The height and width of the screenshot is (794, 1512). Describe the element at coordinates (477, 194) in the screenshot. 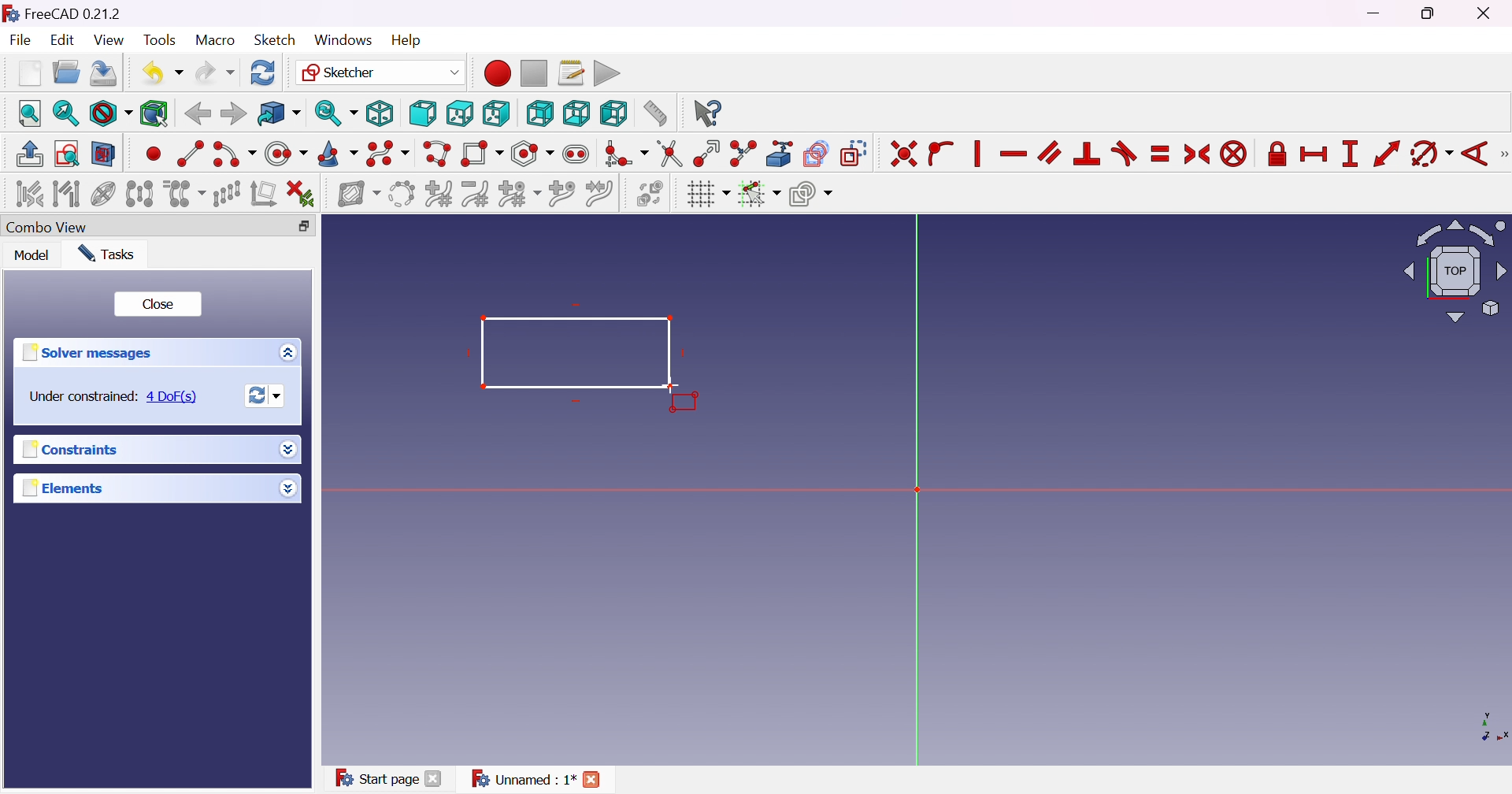

I see `Decrease B-spline degree` at that location.